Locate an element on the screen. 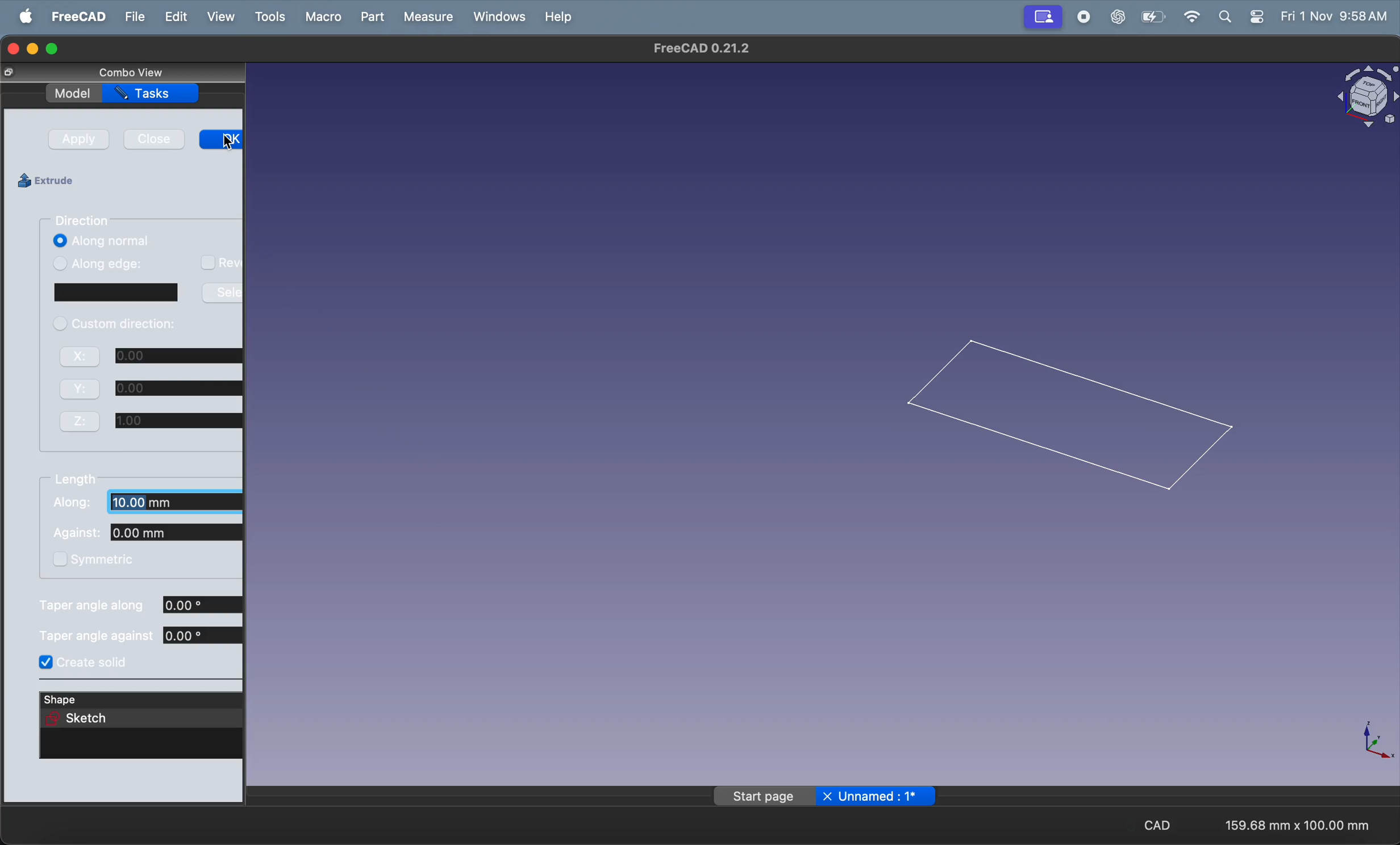  ok is located at coordinates (223, 140).